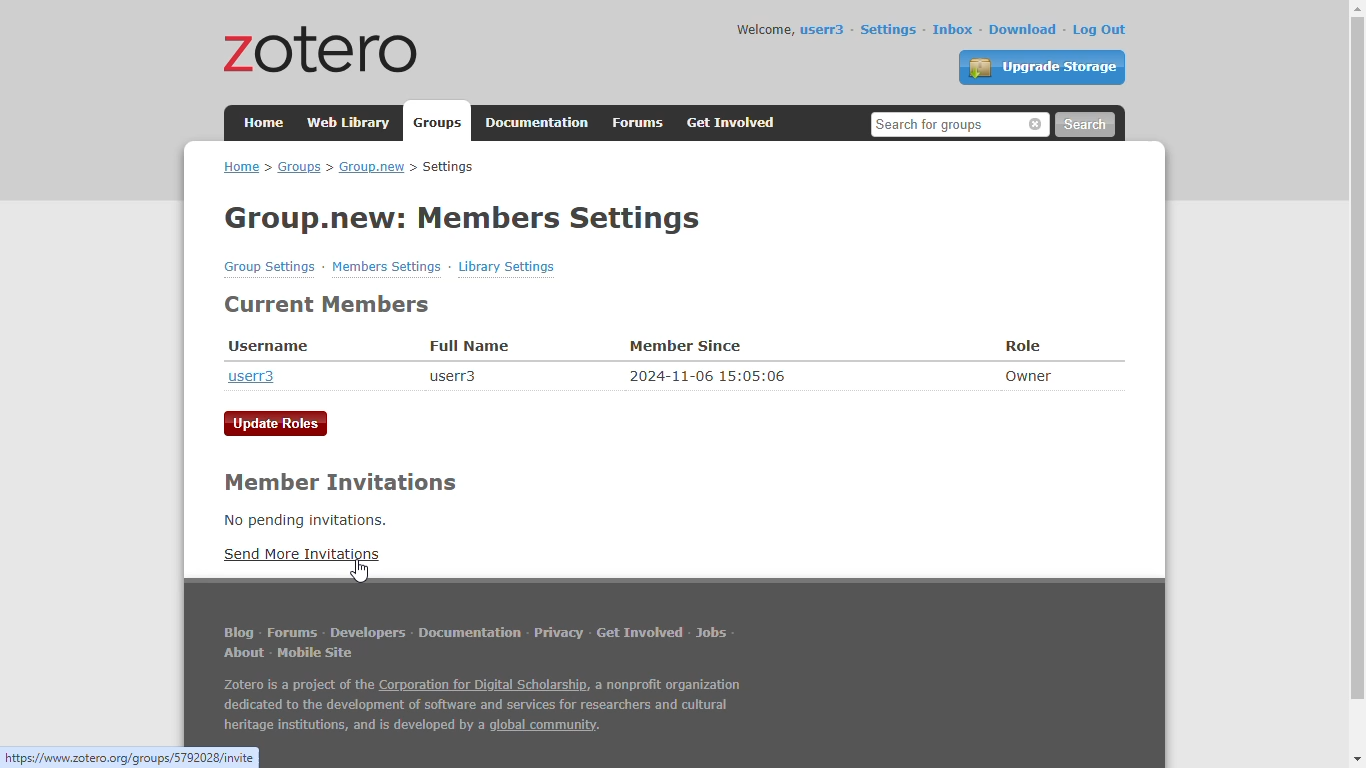 This screenshot has width=1366, height=768. Describe the element at coordinates (386, 266) in the screenshot. I see `members settings` at that location.